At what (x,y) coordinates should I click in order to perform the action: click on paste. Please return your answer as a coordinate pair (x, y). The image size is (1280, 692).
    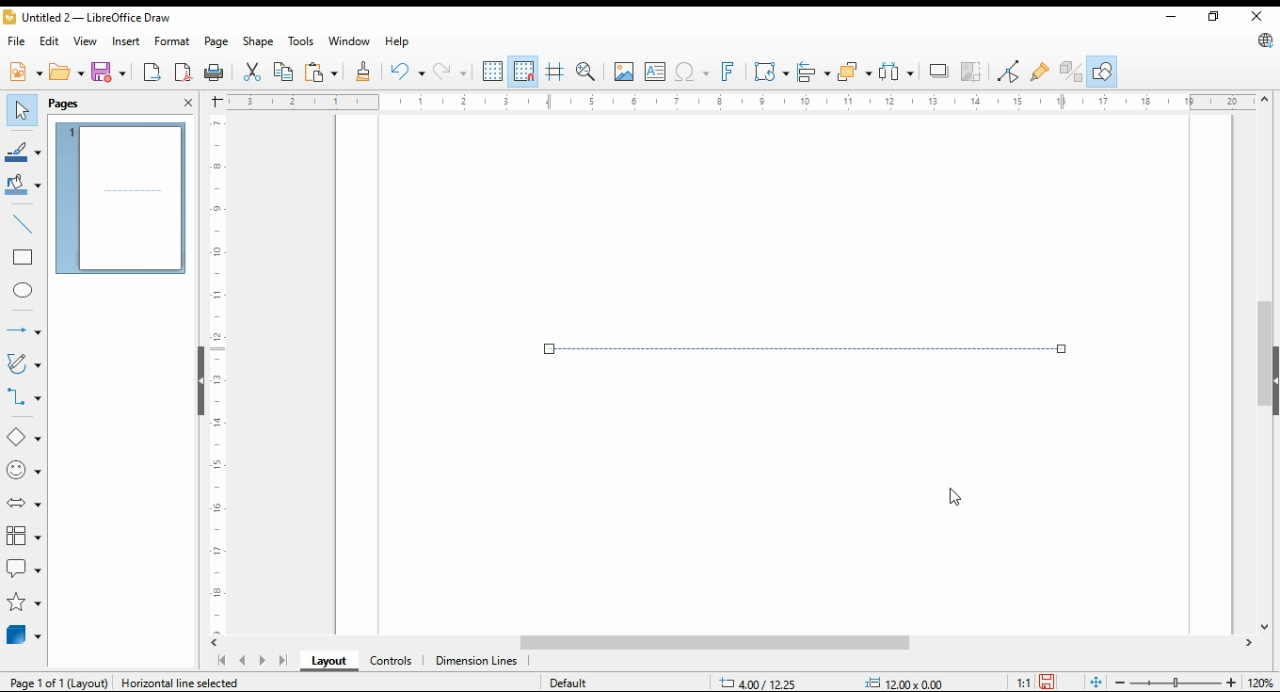
    Looking at the image, I should click on (321, 71).